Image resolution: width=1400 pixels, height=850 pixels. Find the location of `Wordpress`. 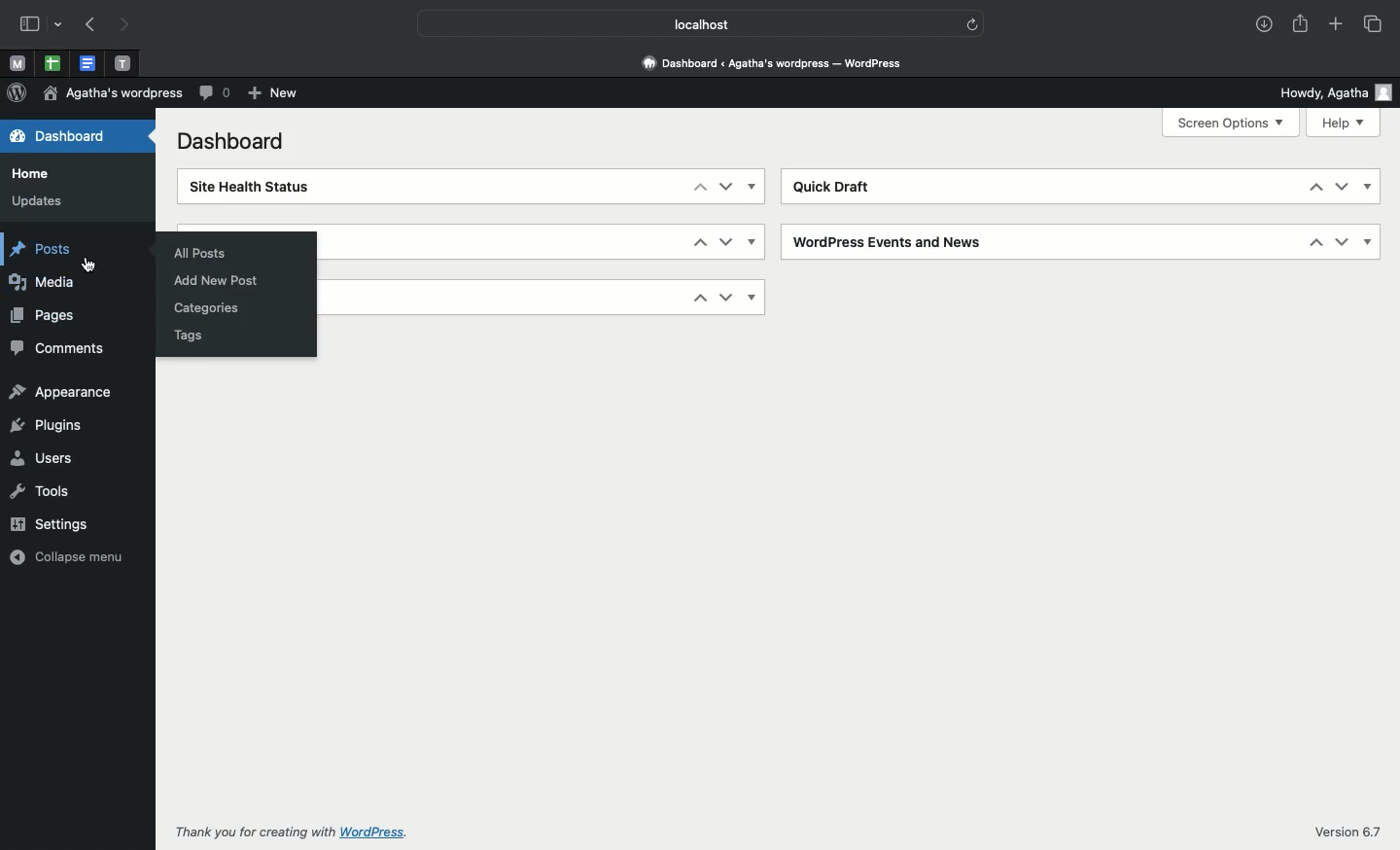

Wordpress is located at coordinates (17, 93).